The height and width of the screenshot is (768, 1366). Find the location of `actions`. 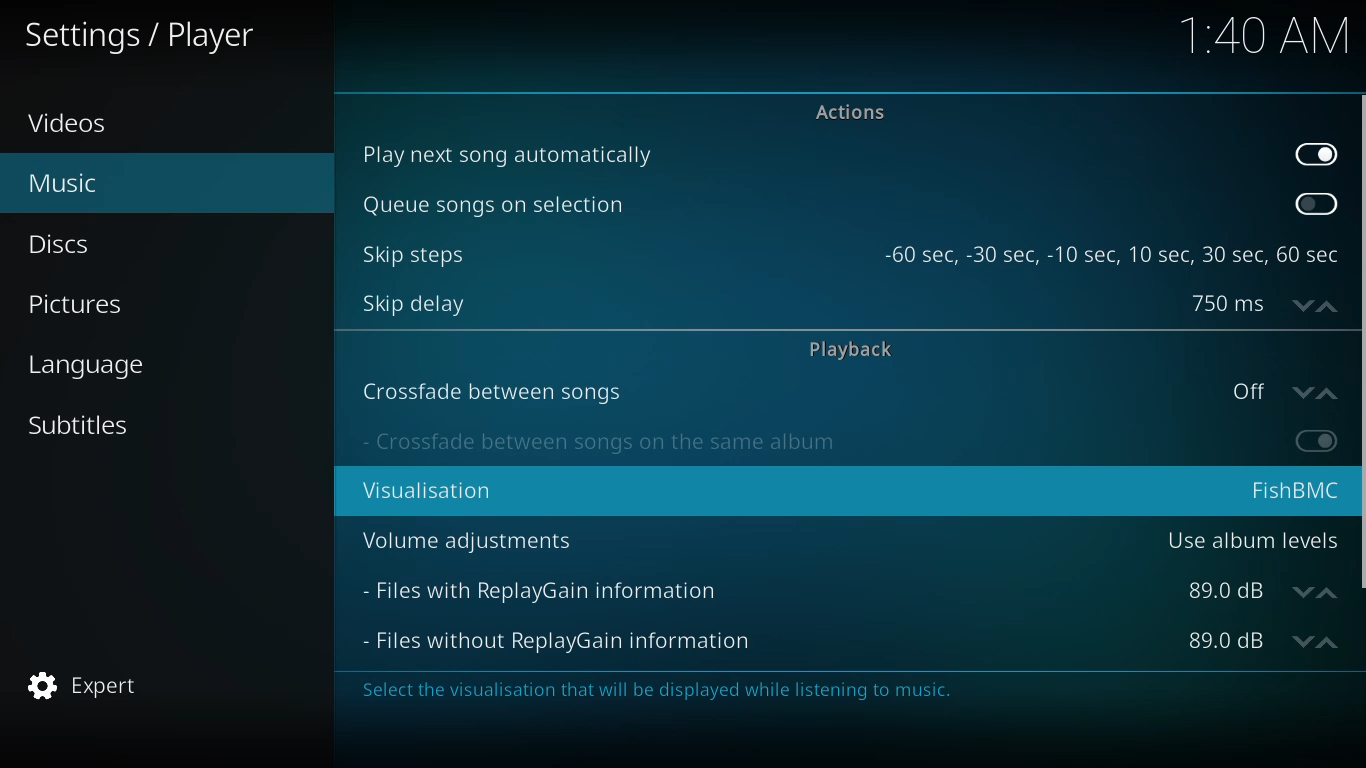

actions is located at coordinates (848, 113).